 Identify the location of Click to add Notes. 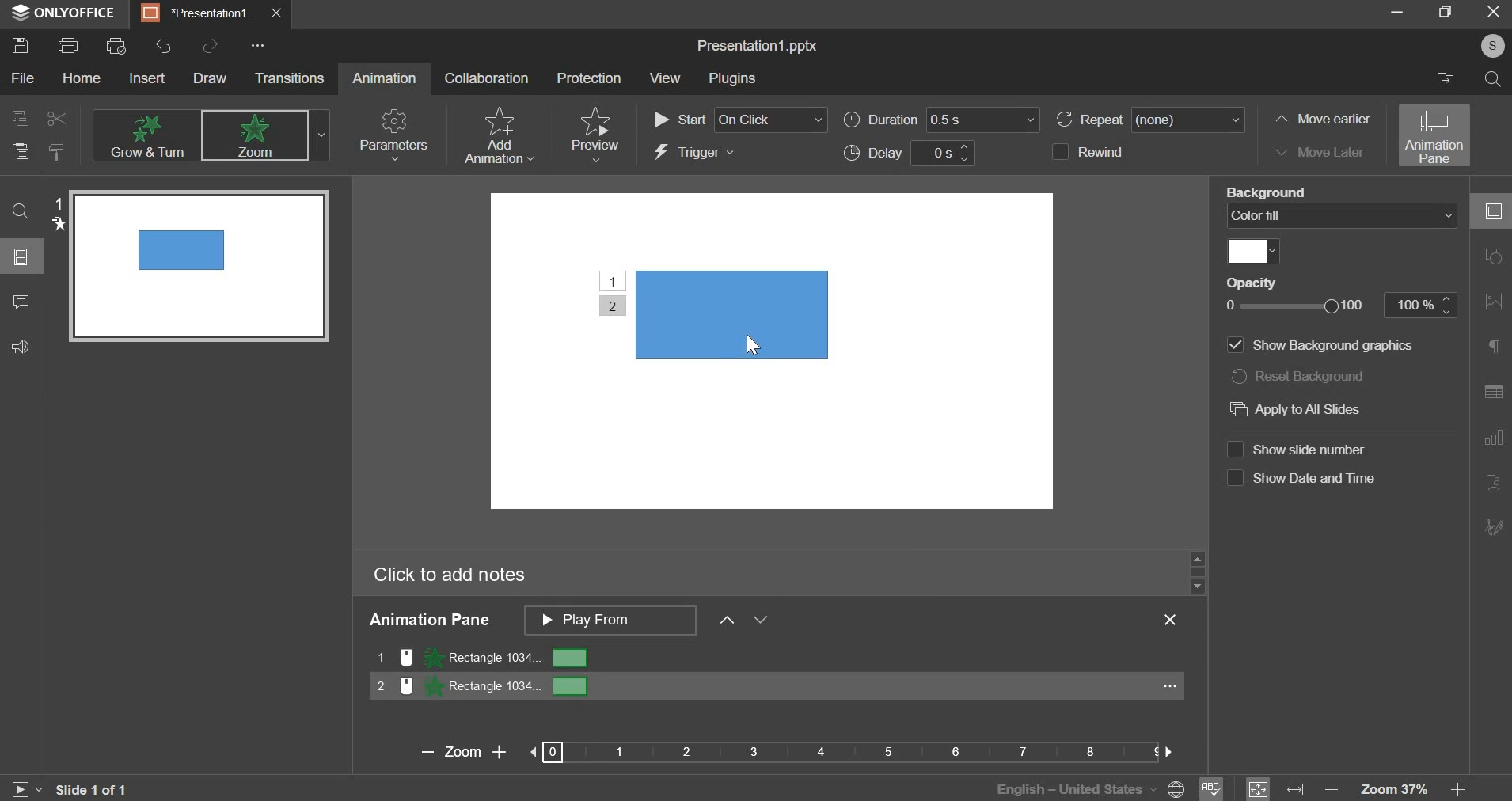
(446, 575).